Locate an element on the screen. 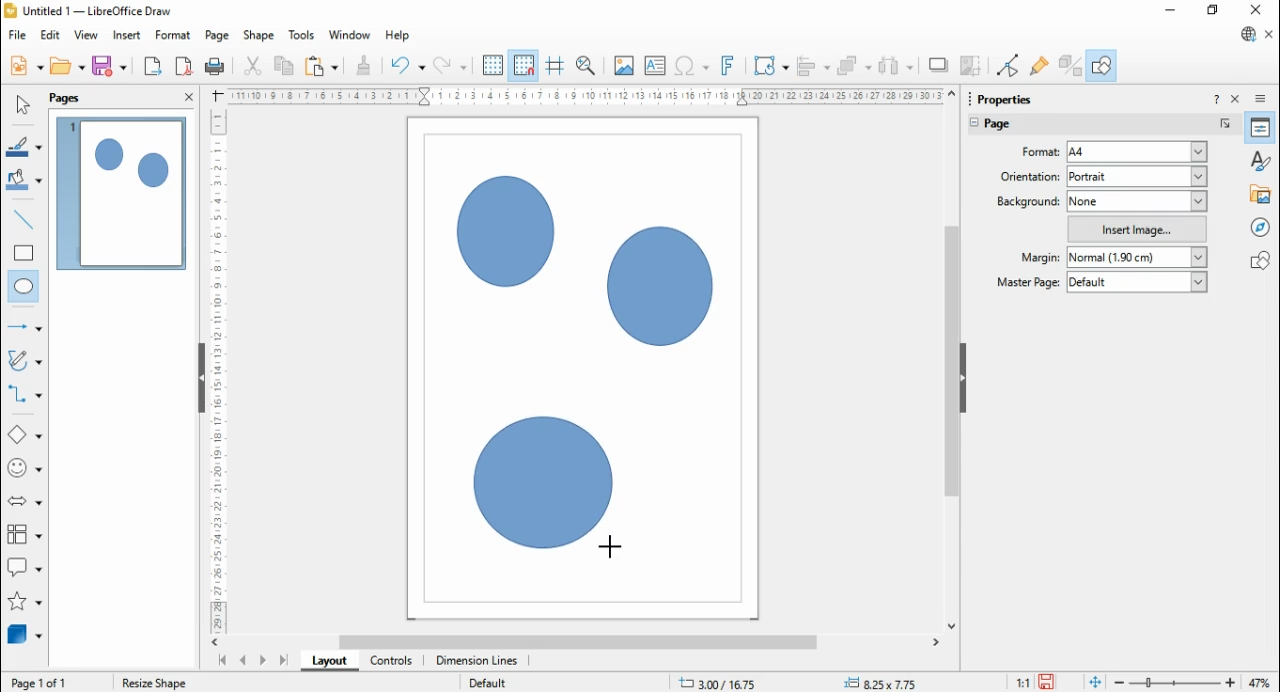 Image resolution: width=1280 pixels, height=692 pixels. select is located at coordinates (22, 104).